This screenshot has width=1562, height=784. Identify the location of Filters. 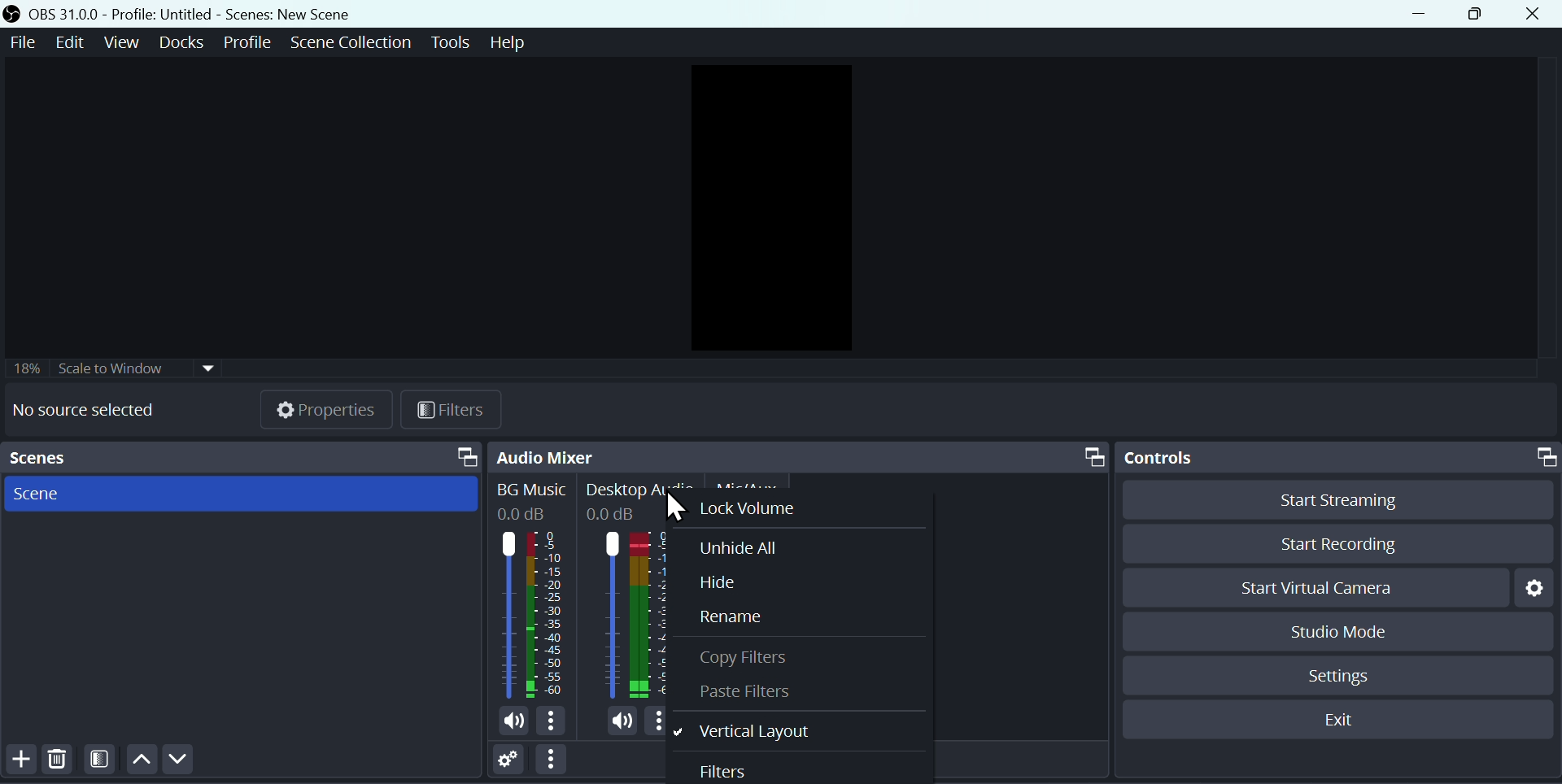
(726, 772).